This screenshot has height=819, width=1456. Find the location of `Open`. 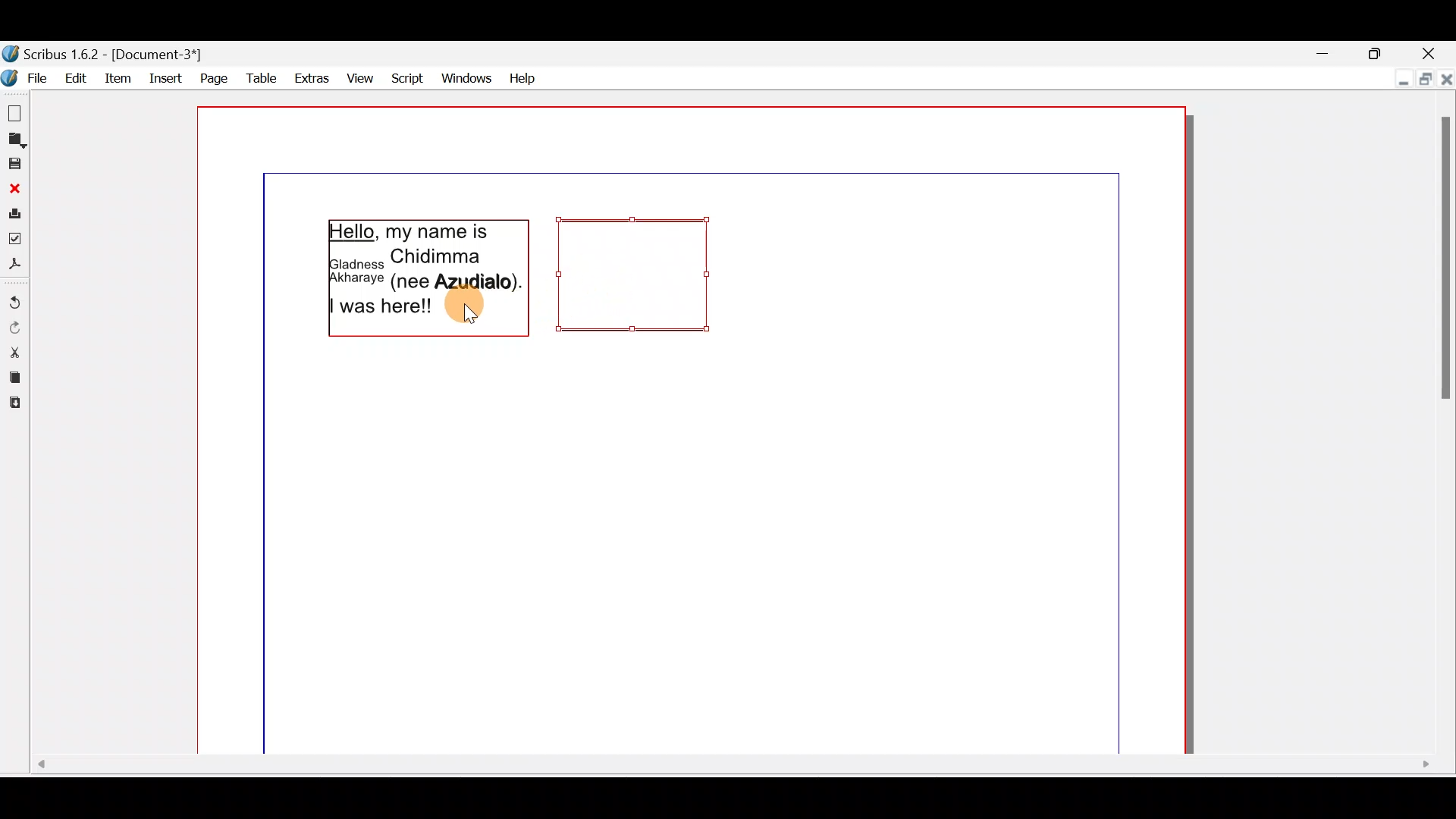

Open is located at coordinates (15, 140).